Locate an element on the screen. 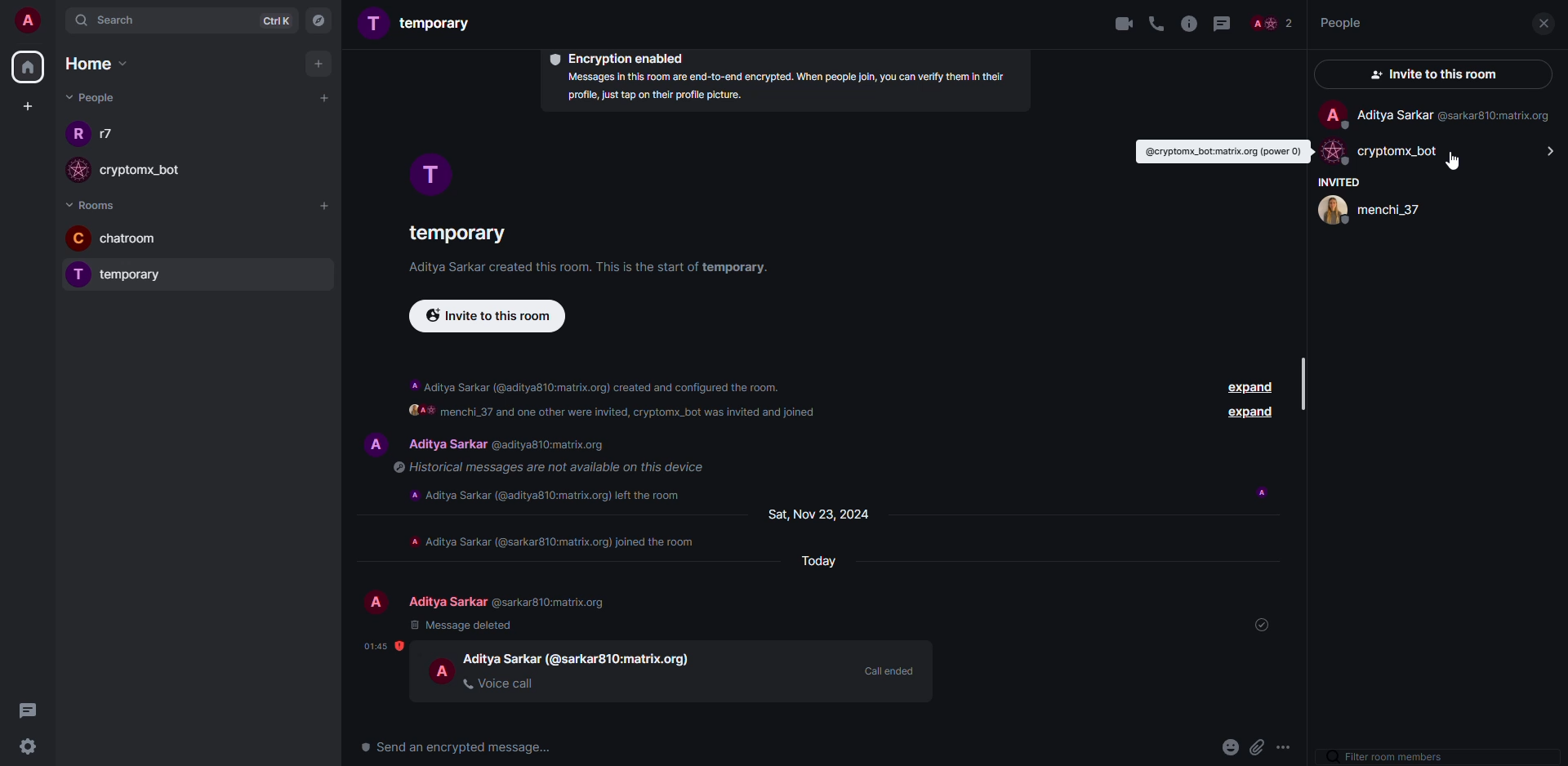 The width and height of the screenshot is (1568, 766). profile is located at coordinates (1333, 154).